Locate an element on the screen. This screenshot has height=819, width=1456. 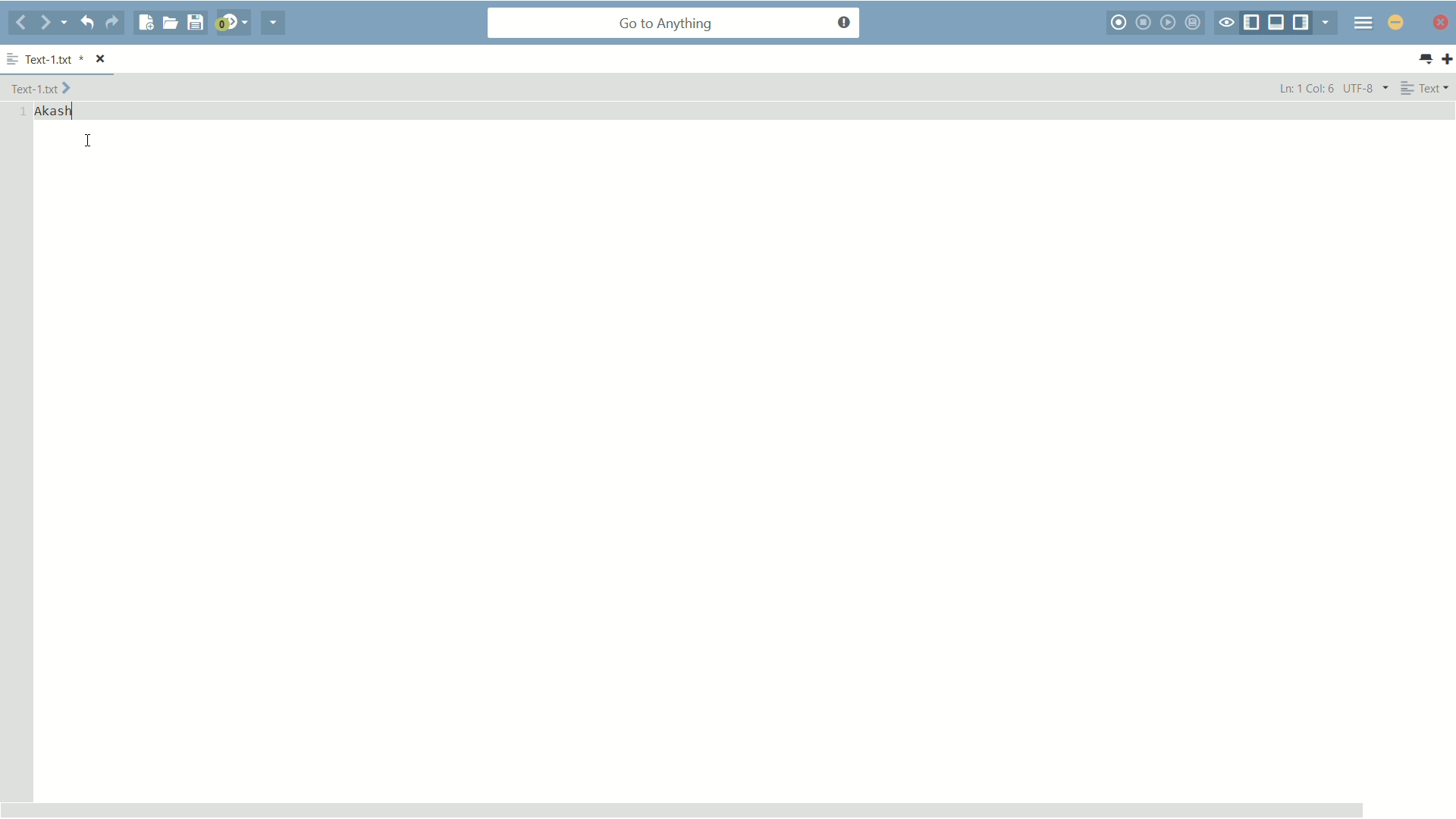
cursor is located at coordinates (89, 142).